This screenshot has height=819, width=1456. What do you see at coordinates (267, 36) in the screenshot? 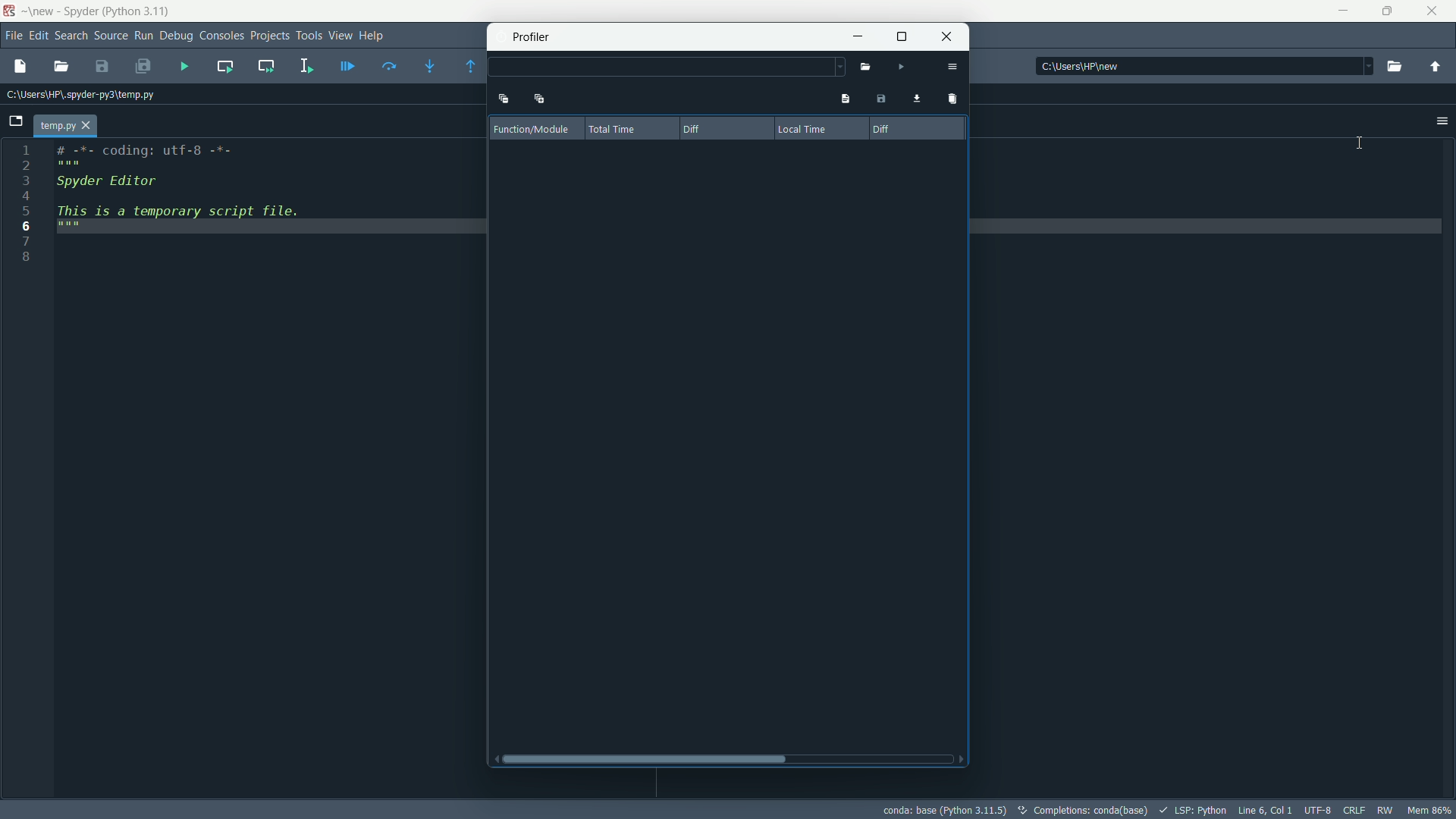
I see `projects menu` at bounding box center [267, 36].